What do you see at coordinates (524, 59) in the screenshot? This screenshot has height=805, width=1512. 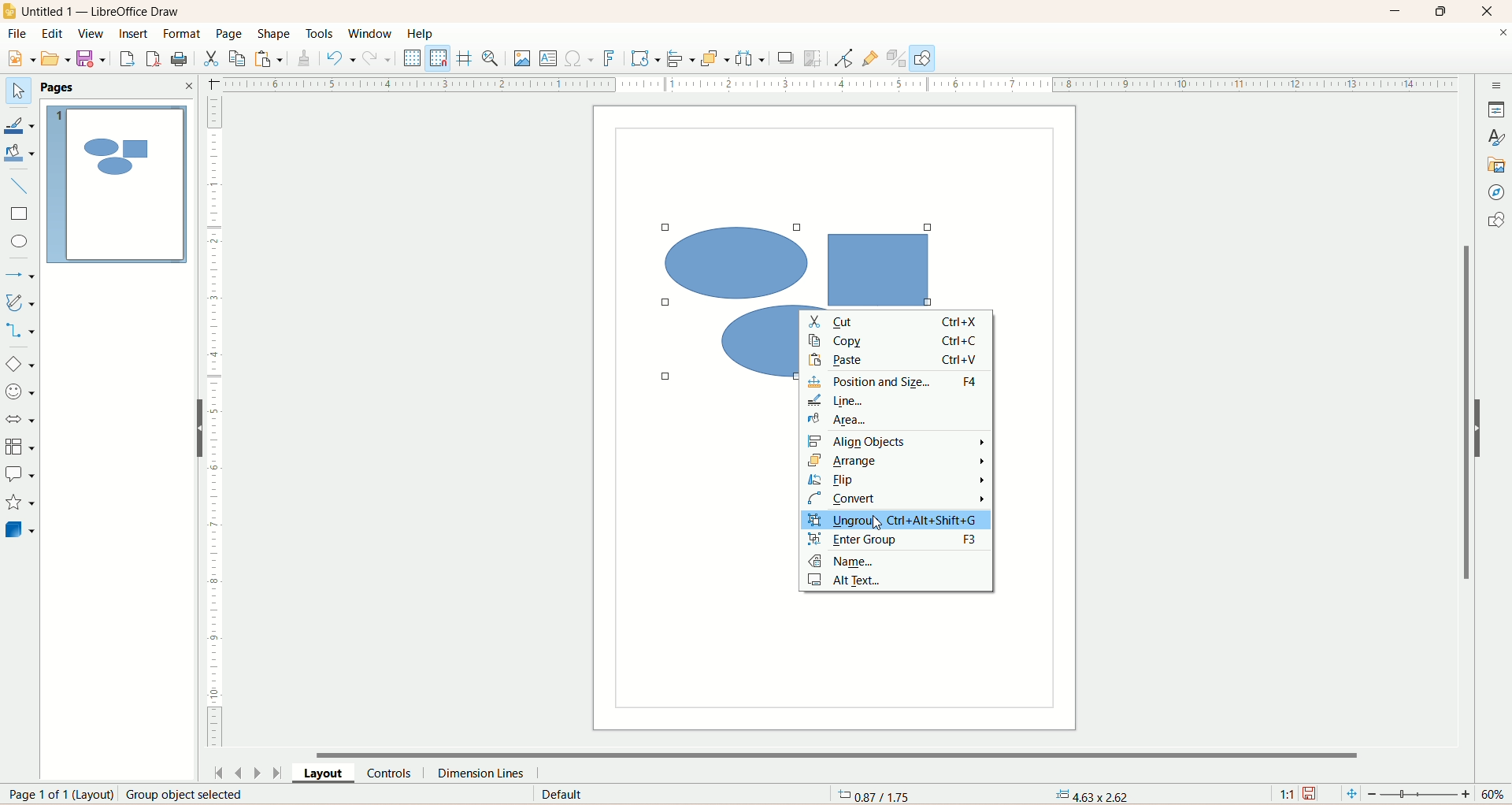 I see `insert image` at bounding box center [524, 59].